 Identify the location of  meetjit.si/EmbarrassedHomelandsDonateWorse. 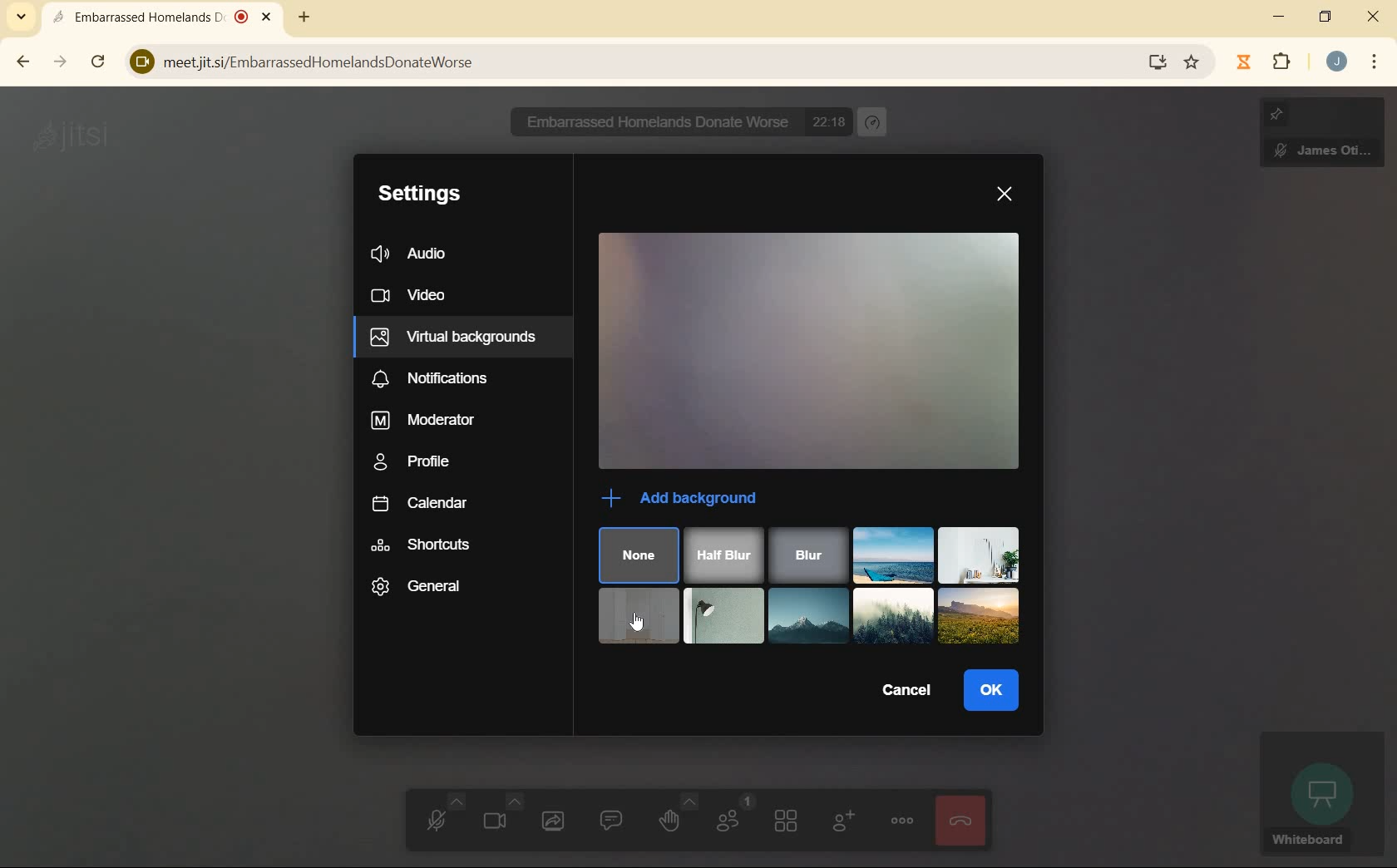
(611, 59).